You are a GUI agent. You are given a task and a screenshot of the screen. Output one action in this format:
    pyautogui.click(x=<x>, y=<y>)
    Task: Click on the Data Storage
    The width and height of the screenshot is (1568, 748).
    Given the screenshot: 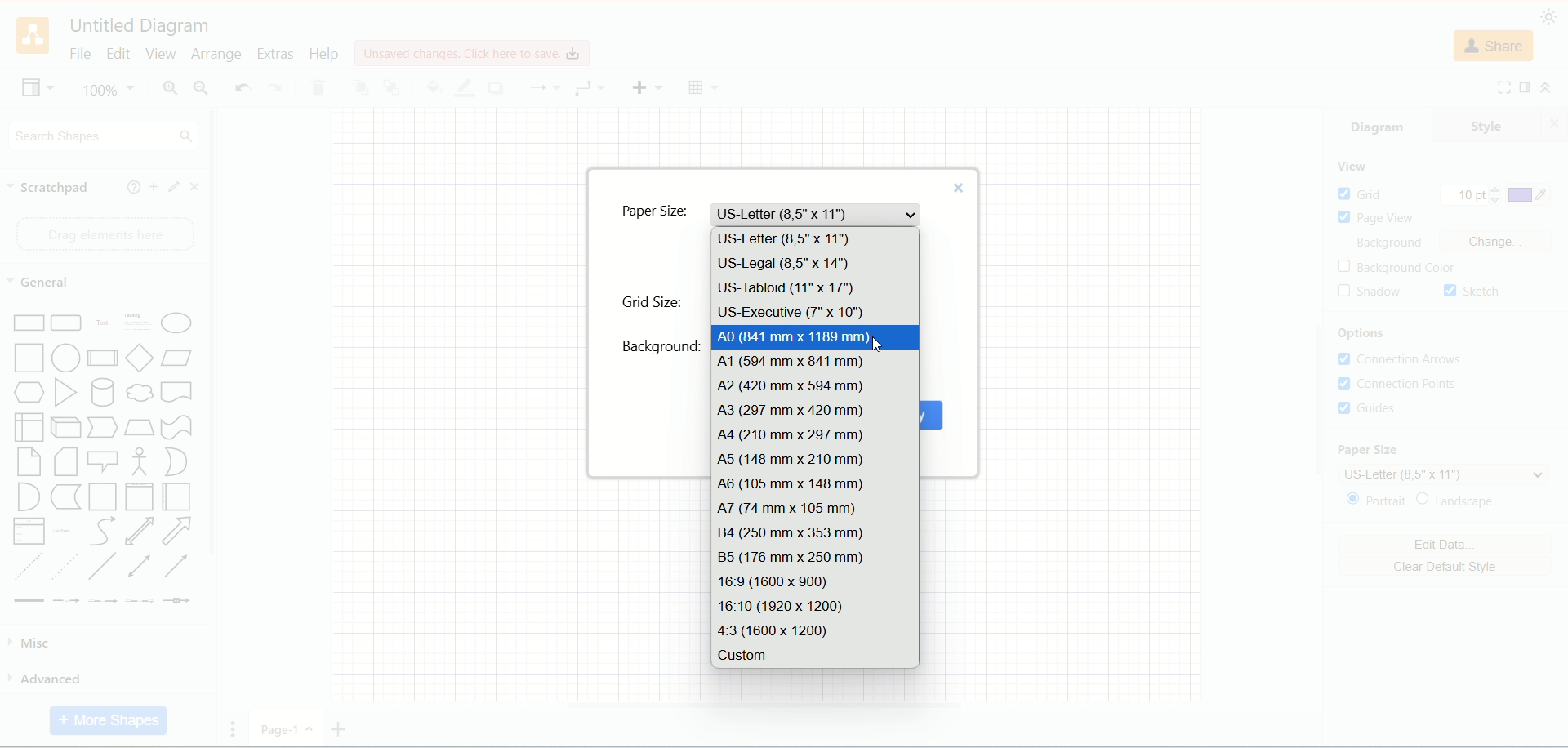 What is the action you would take?
    pyautogui.click(x=65, y=498)
    